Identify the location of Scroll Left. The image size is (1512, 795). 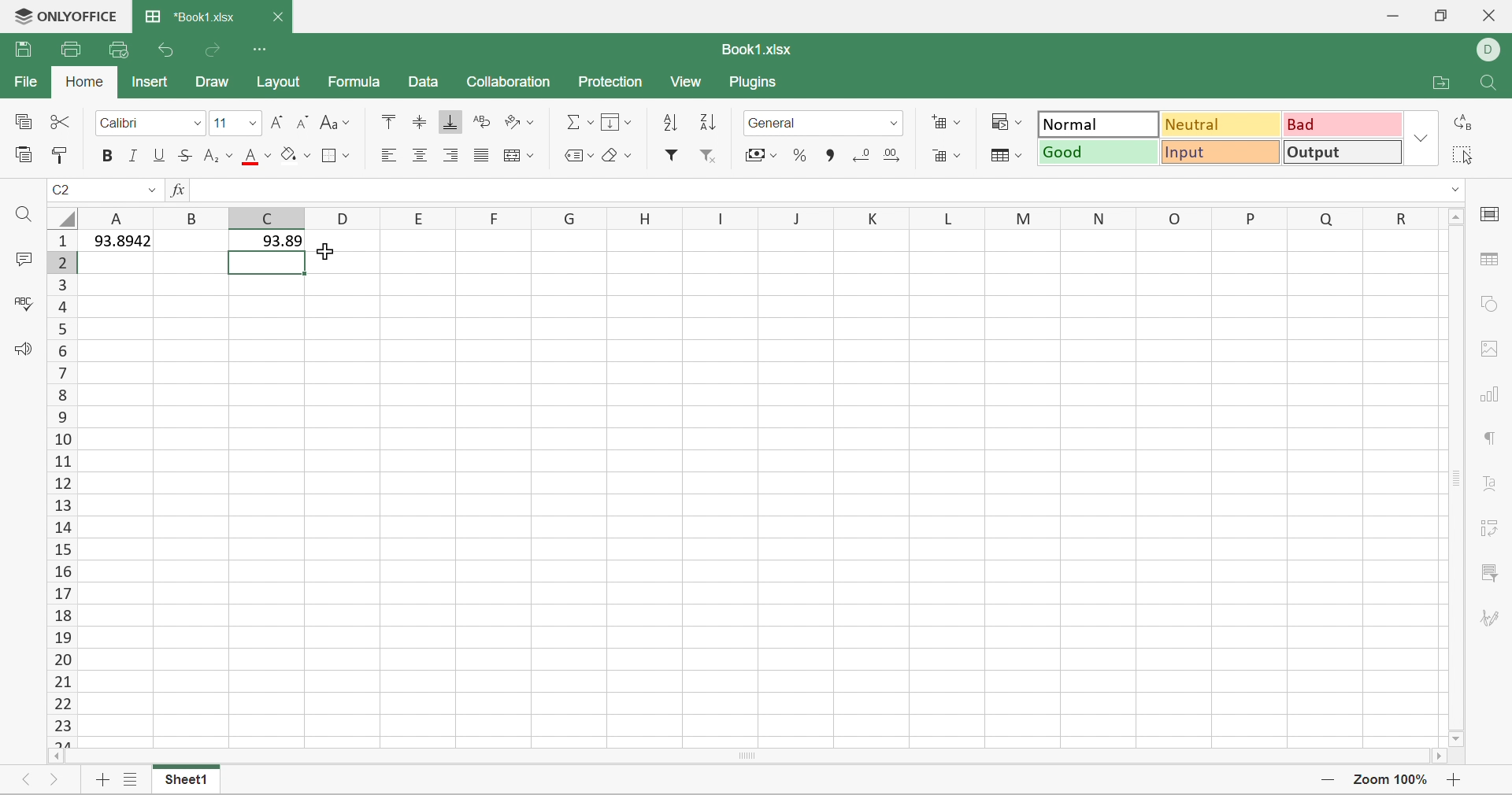
(57, 758).